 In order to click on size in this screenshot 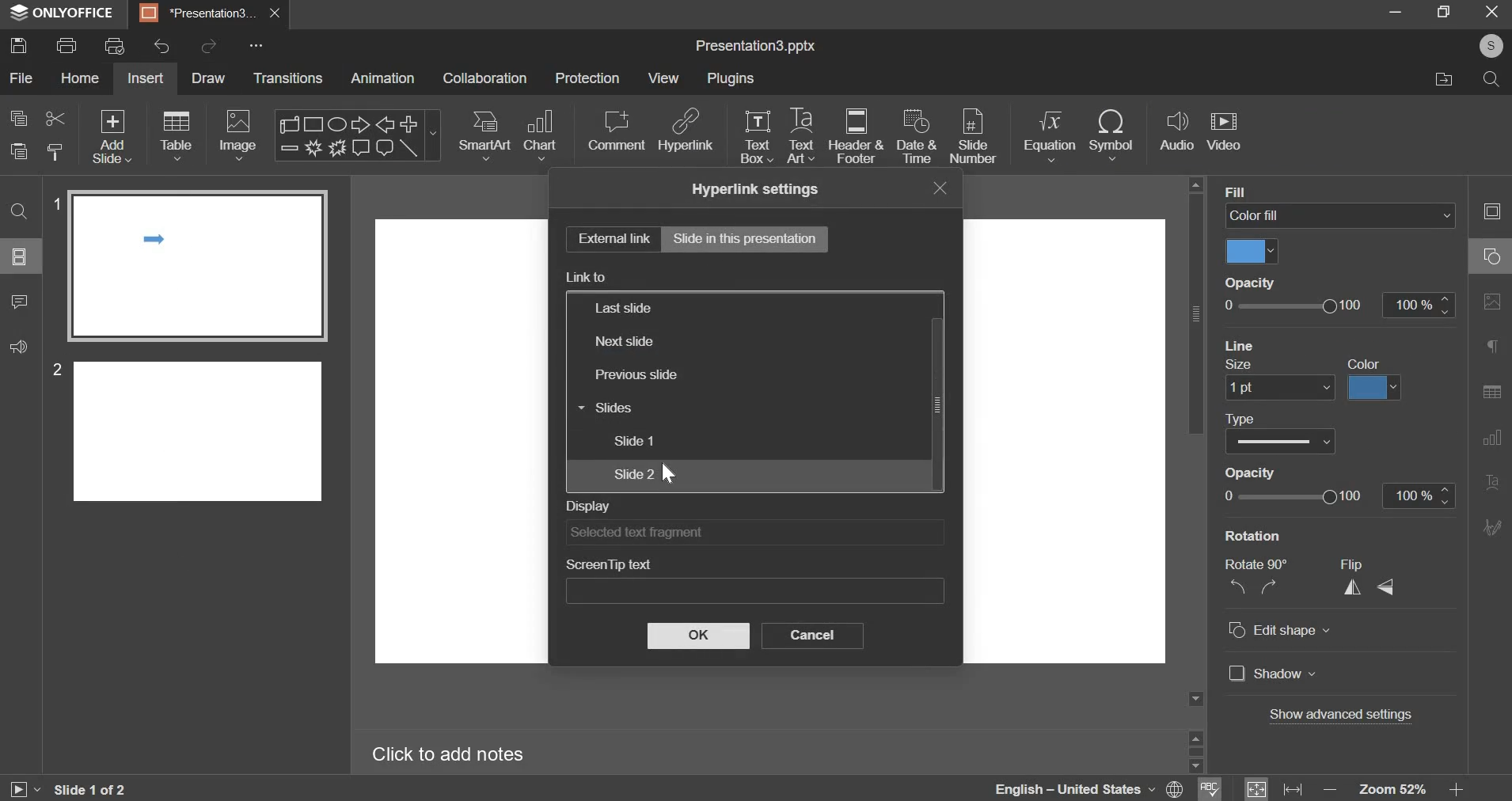, I will do `click(1241, 366)`.